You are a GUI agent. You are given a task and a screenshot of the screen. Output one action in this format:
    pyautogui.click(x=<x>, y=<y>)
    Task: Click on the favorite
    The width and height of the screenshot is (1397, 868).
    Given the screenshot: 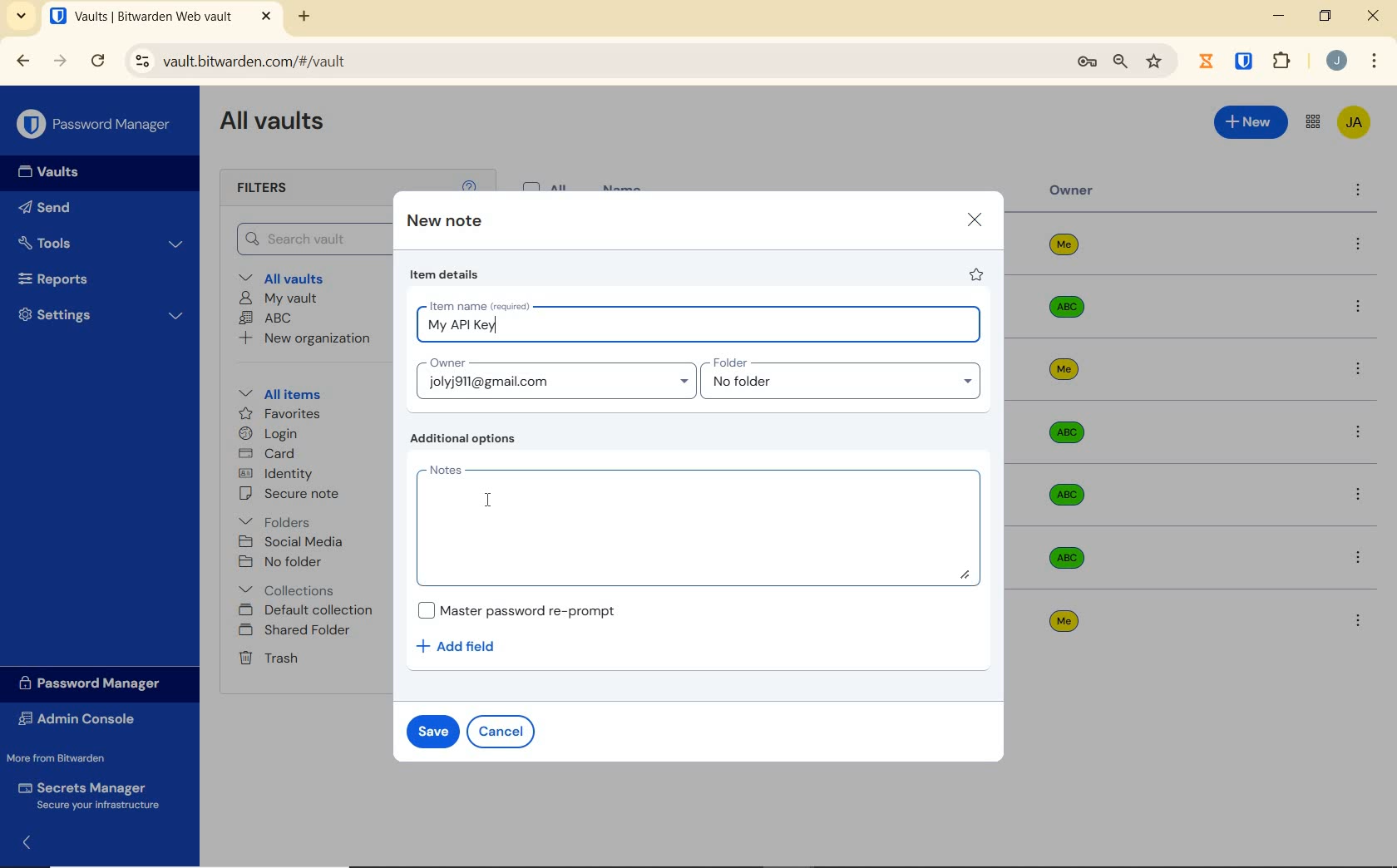 What is the action you would take?
    pyautogui.click(x=977, y=277)
    